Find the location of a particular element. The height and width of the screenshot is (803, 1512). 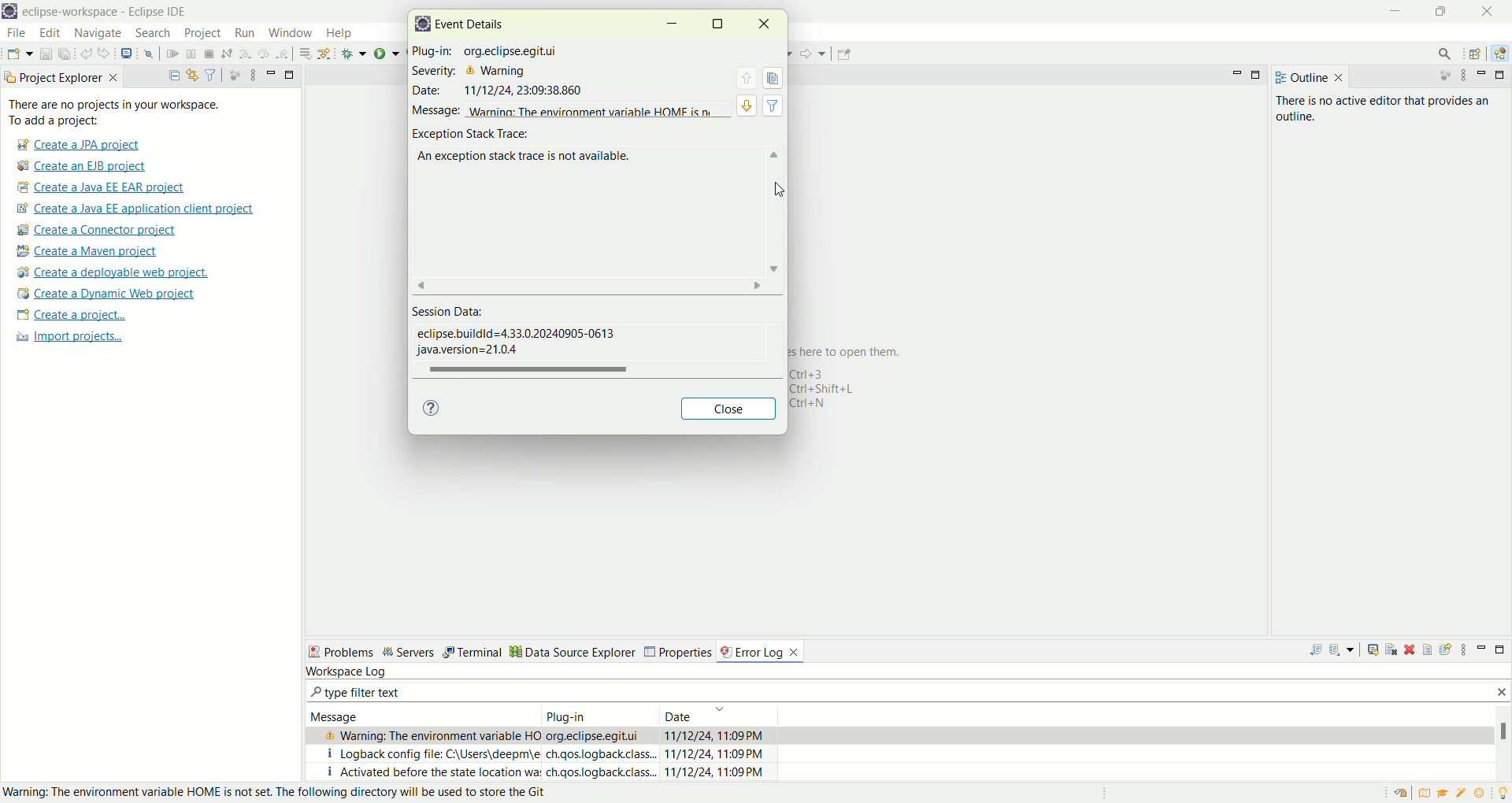

create a Java EE application client project is located at coordinates (135, 209).